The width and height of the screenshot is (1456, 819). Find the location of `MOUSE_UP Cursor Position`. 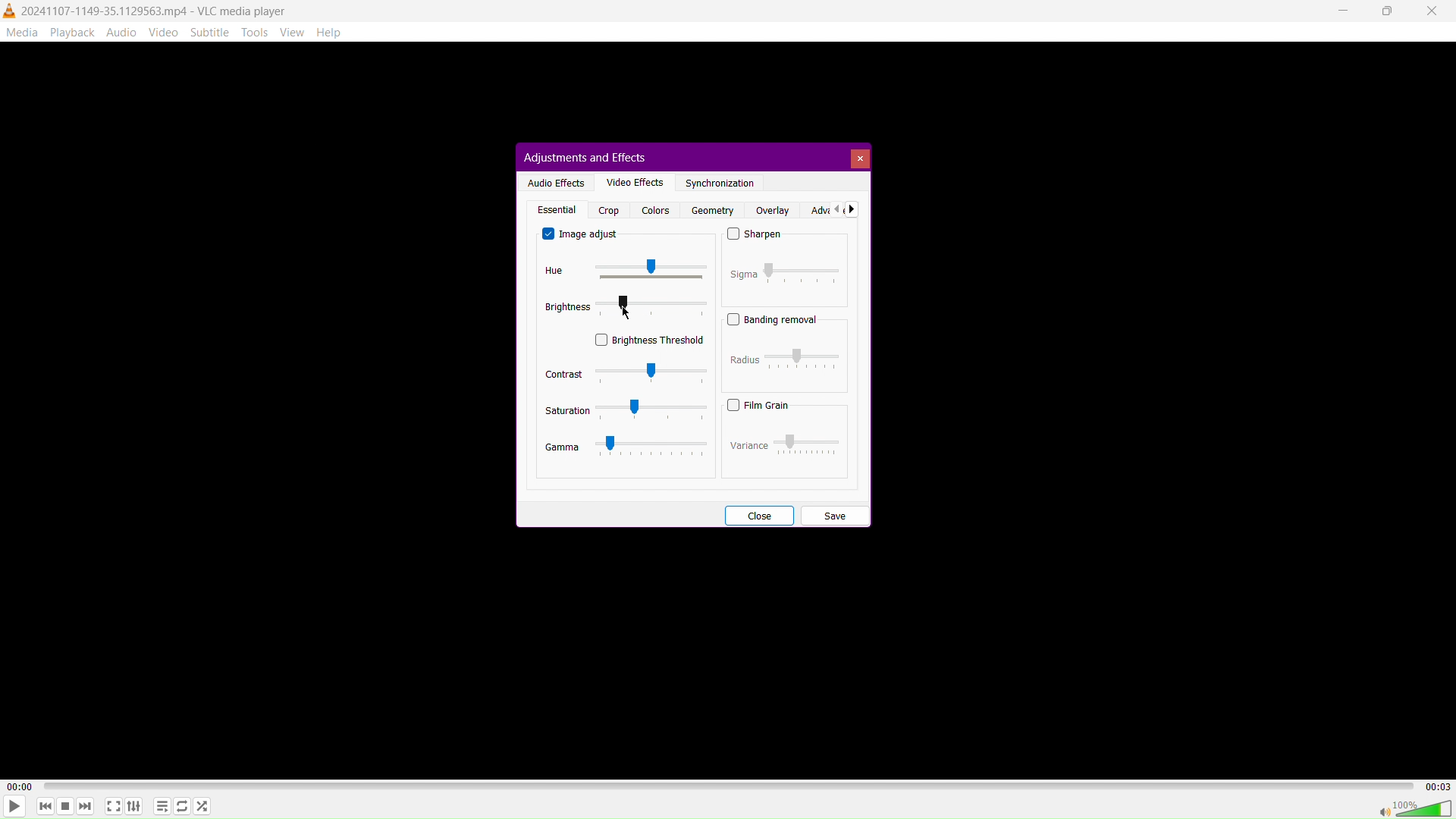

MOUSE_UP Cursor Position is located at coordinates (625, 303).